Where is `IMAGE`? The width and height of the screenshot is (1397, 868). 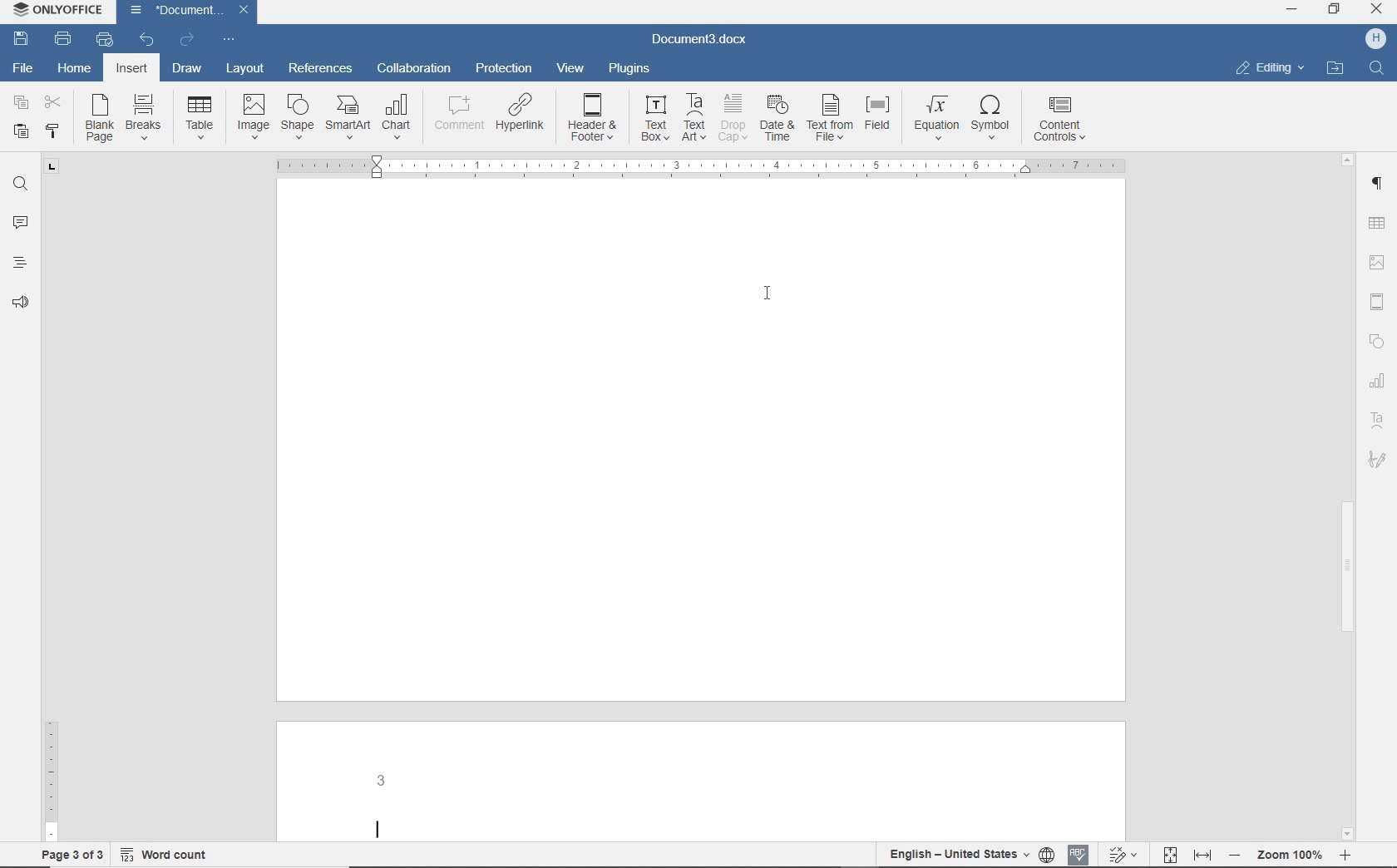 IMAGE is located at coordinates (254, 116).